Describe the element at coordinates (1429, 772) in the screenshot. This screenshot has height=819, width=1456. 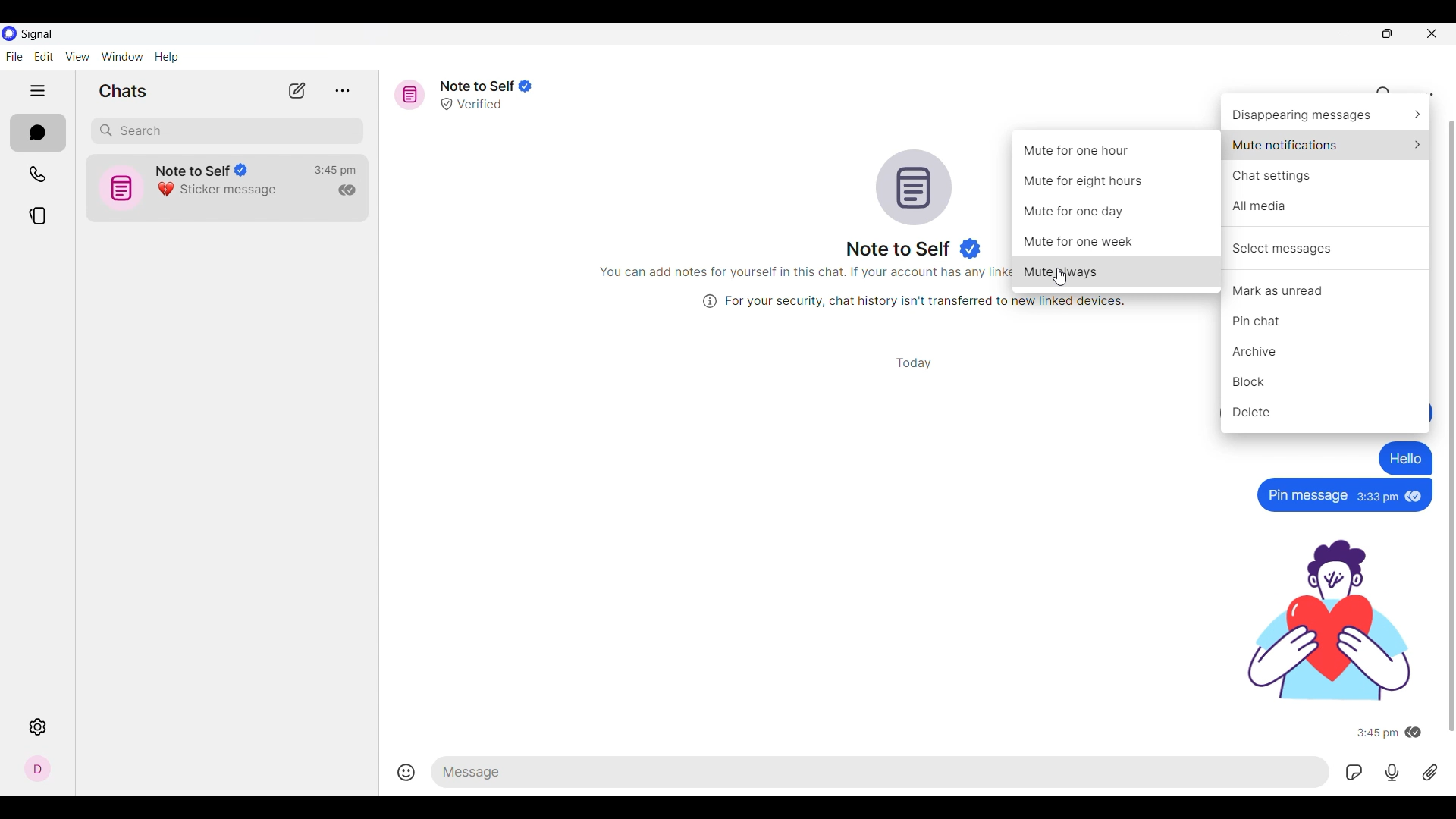
I see `Attachment ` at that location.